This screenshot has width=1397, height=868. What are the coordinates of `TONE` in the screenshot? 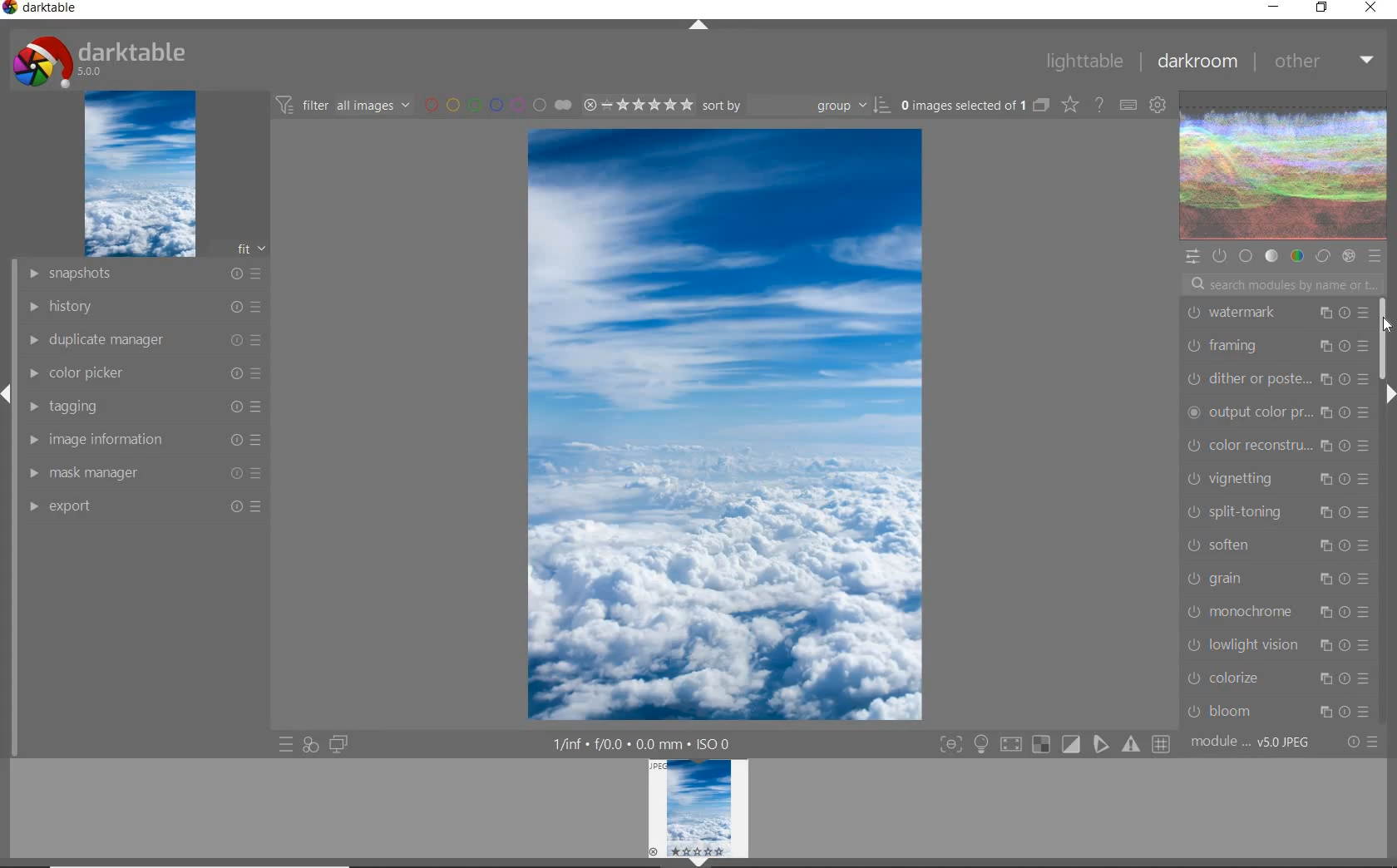 It's located at (1271, 258).